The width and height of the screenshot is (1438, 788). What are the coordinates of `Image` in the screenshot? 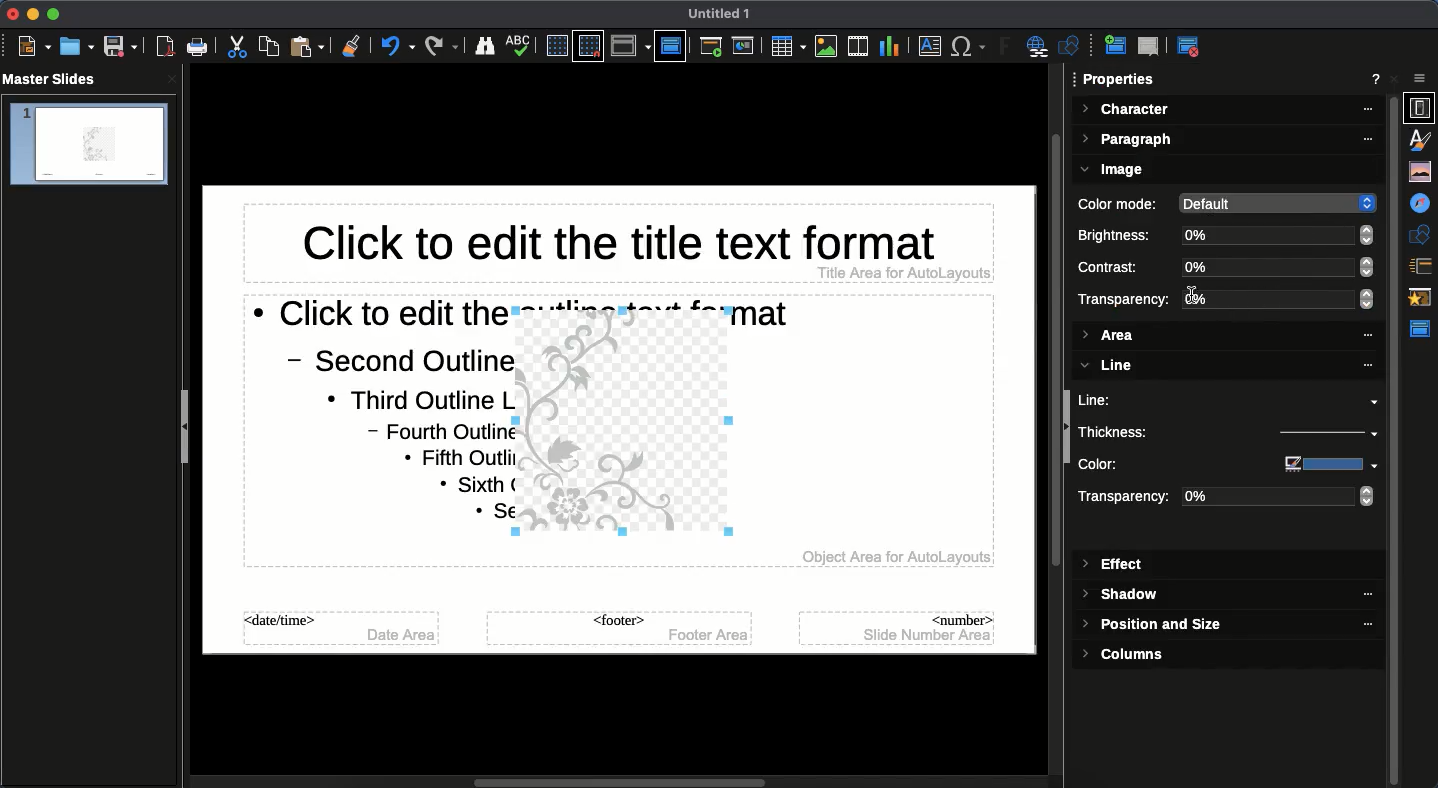 It's located at (1116, 170).